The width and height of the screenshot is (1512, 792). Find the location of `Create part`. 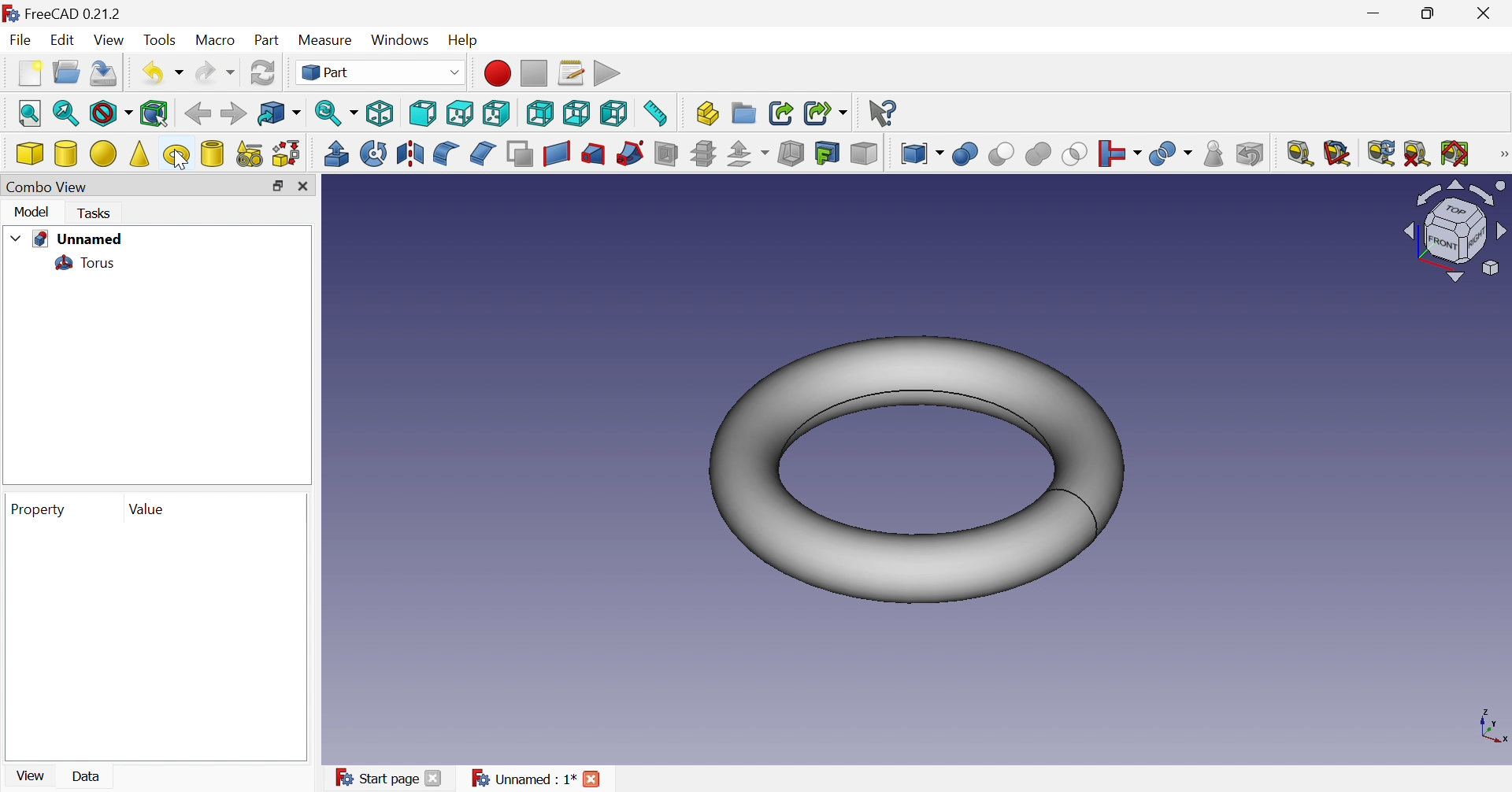

Create part is located at coordinates (707, 112).